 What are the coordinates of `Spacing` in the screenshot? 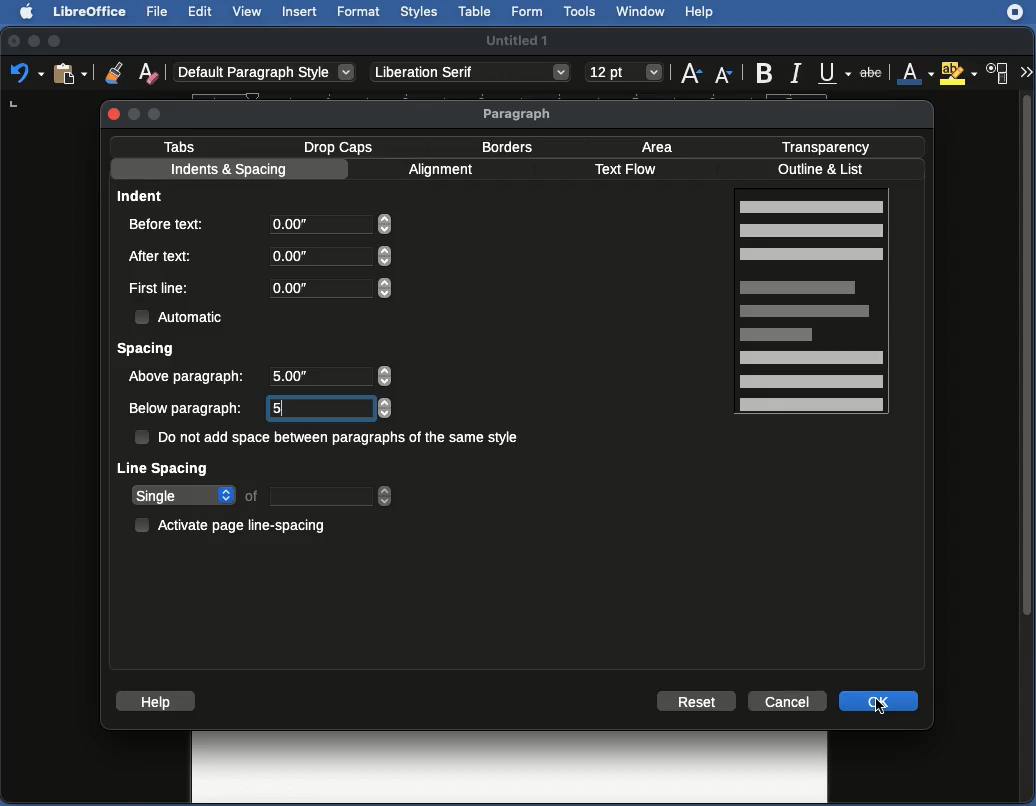 It's located at (147, 350).